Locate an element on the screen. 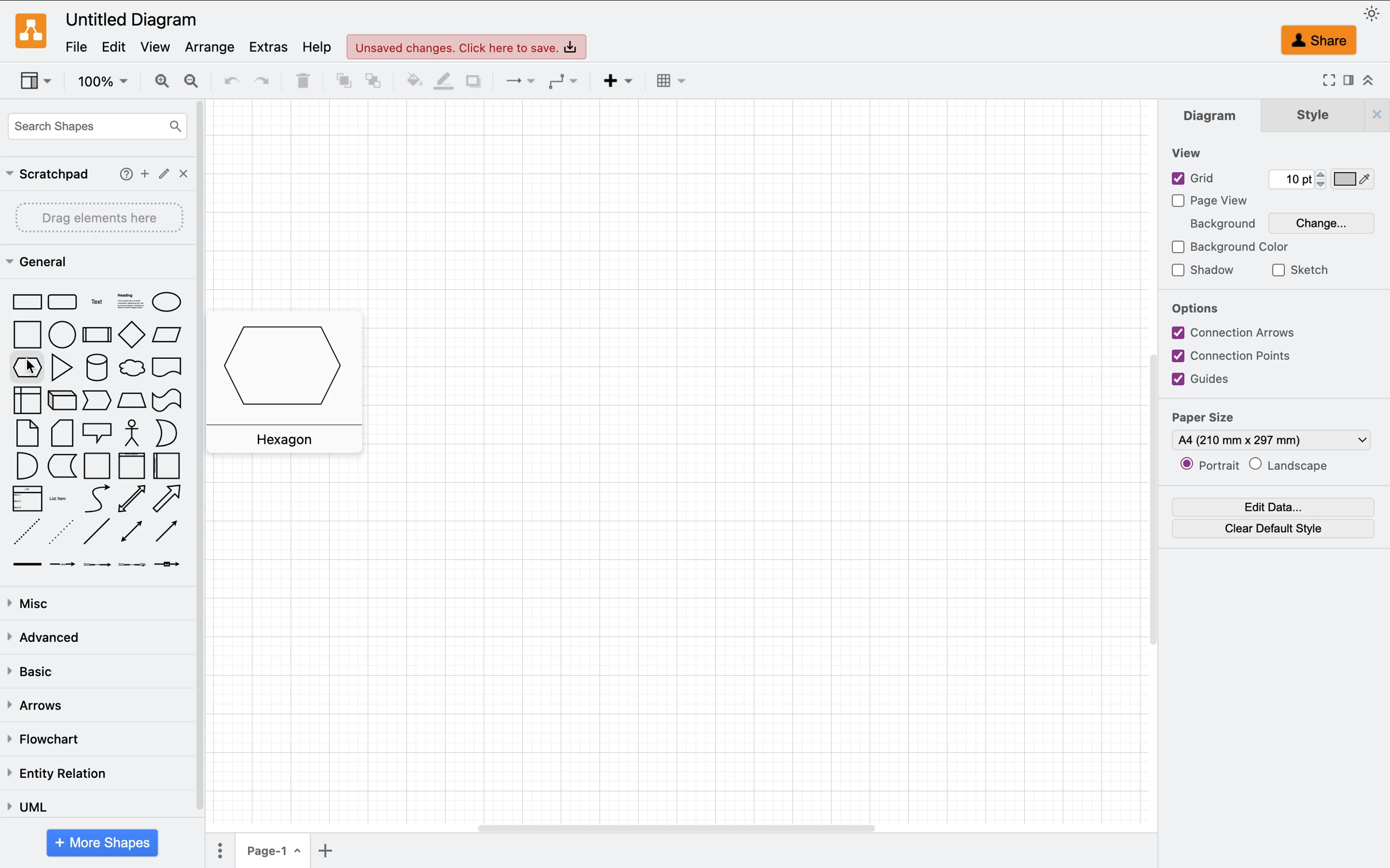 The height and width of the screenshot is (868, 1390). redo is located at coordinates (267, 83).